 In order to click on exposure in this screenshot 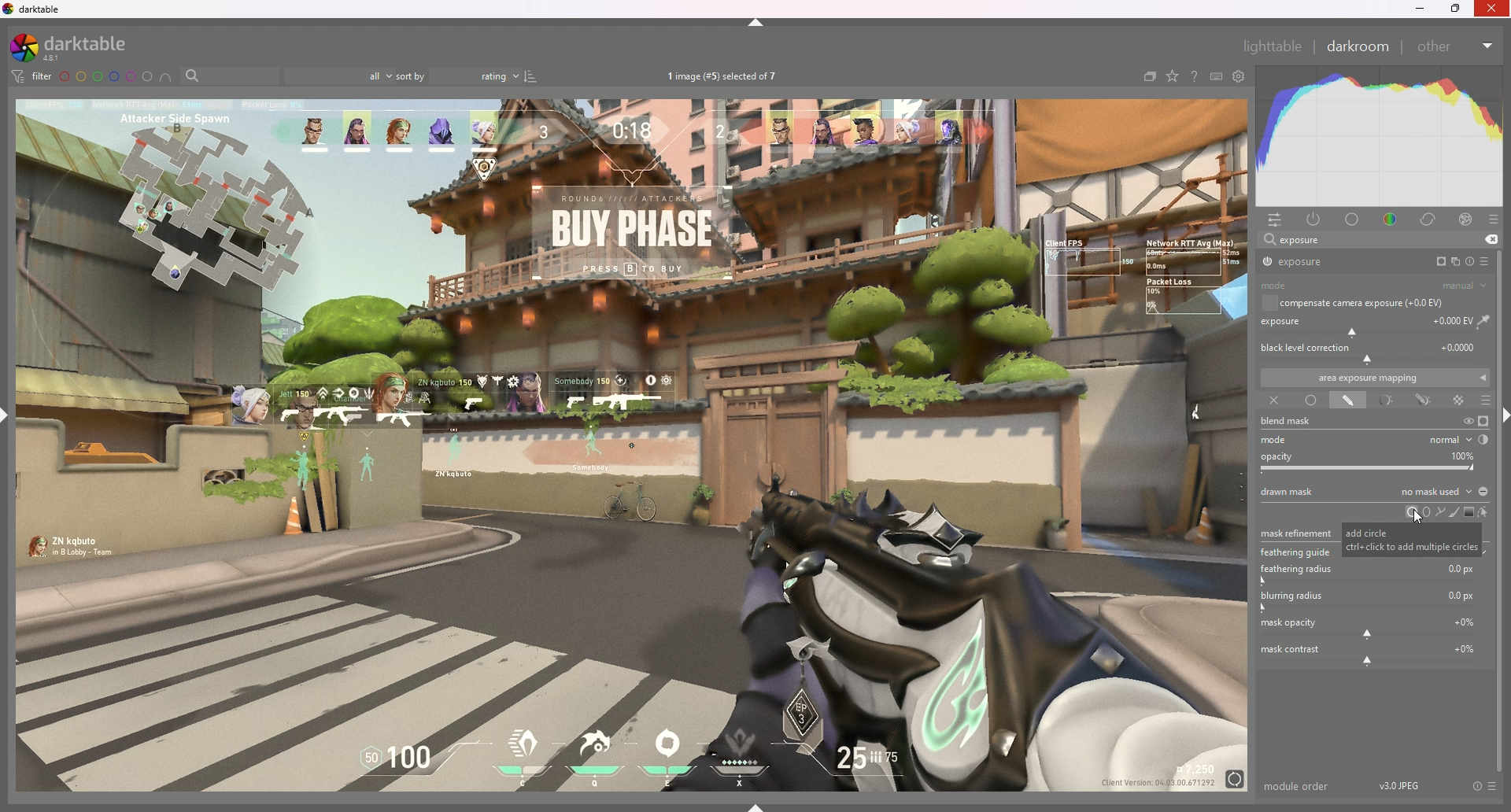, I will do `click(1376, 324)`.